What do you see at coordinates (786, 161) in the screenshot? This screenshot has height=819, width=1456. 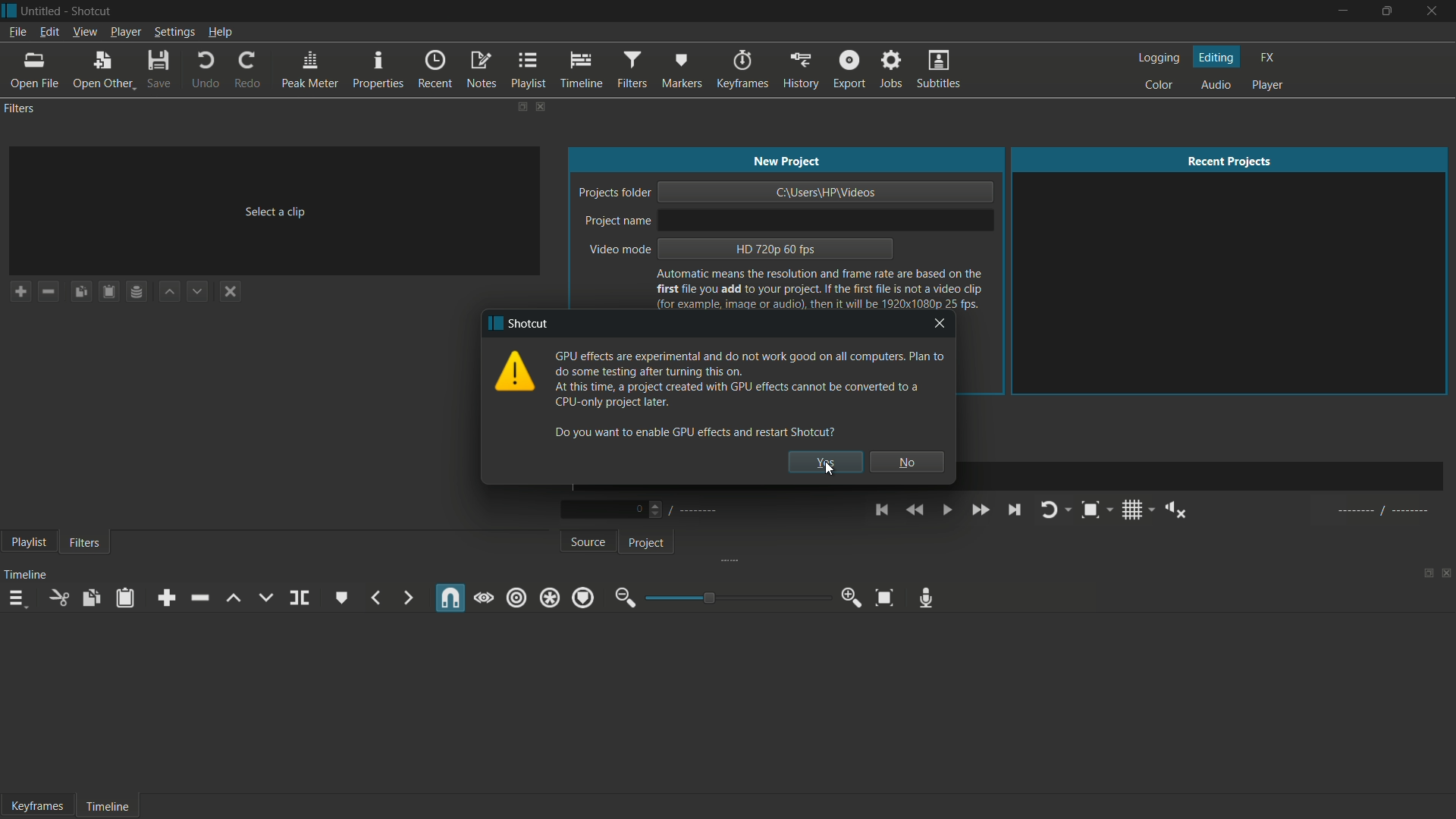 I see `new project` at bounding box center [786, 161].